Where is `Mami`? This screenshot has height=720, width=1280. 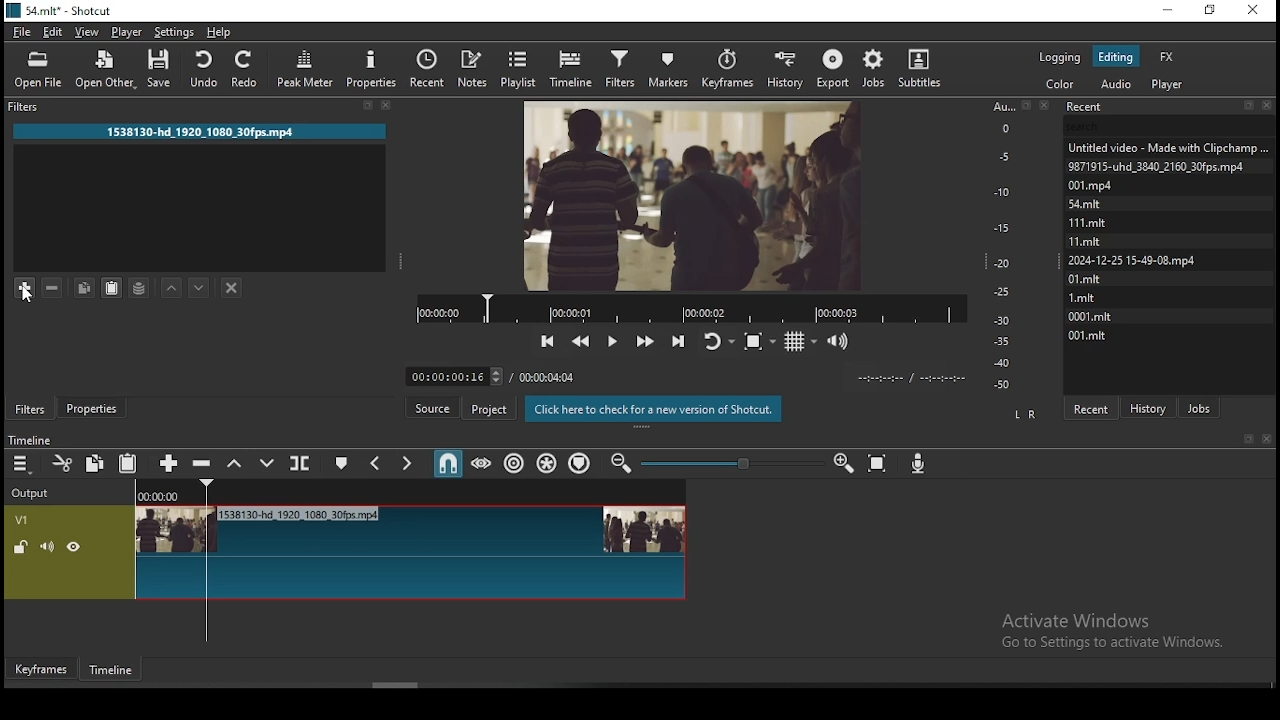
Mami is located at coordinates (1087, 239).